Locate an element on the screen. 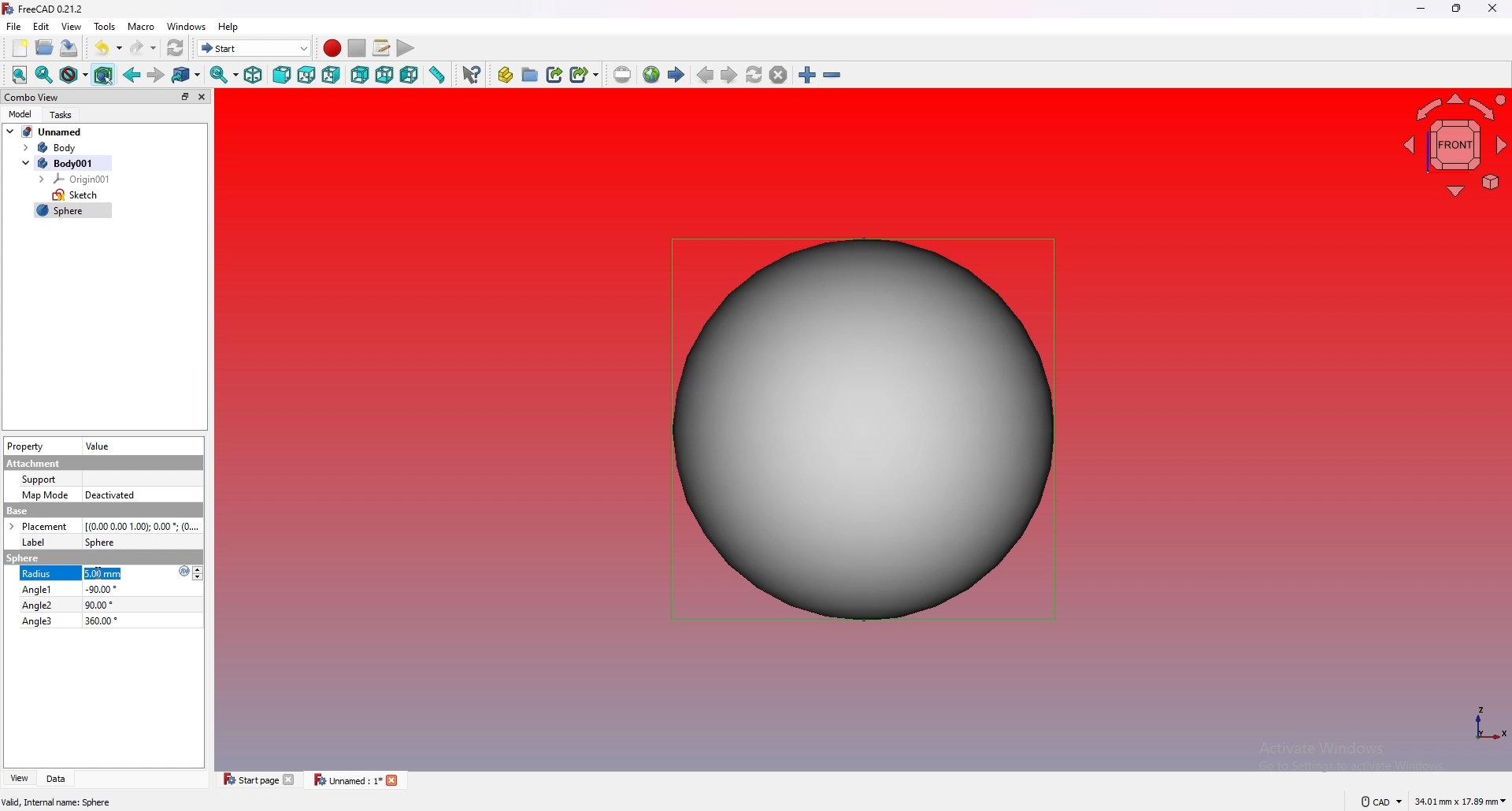 The width and height of the screenshot is (1512, 811). stop loading is located at coordinates (778, 74).